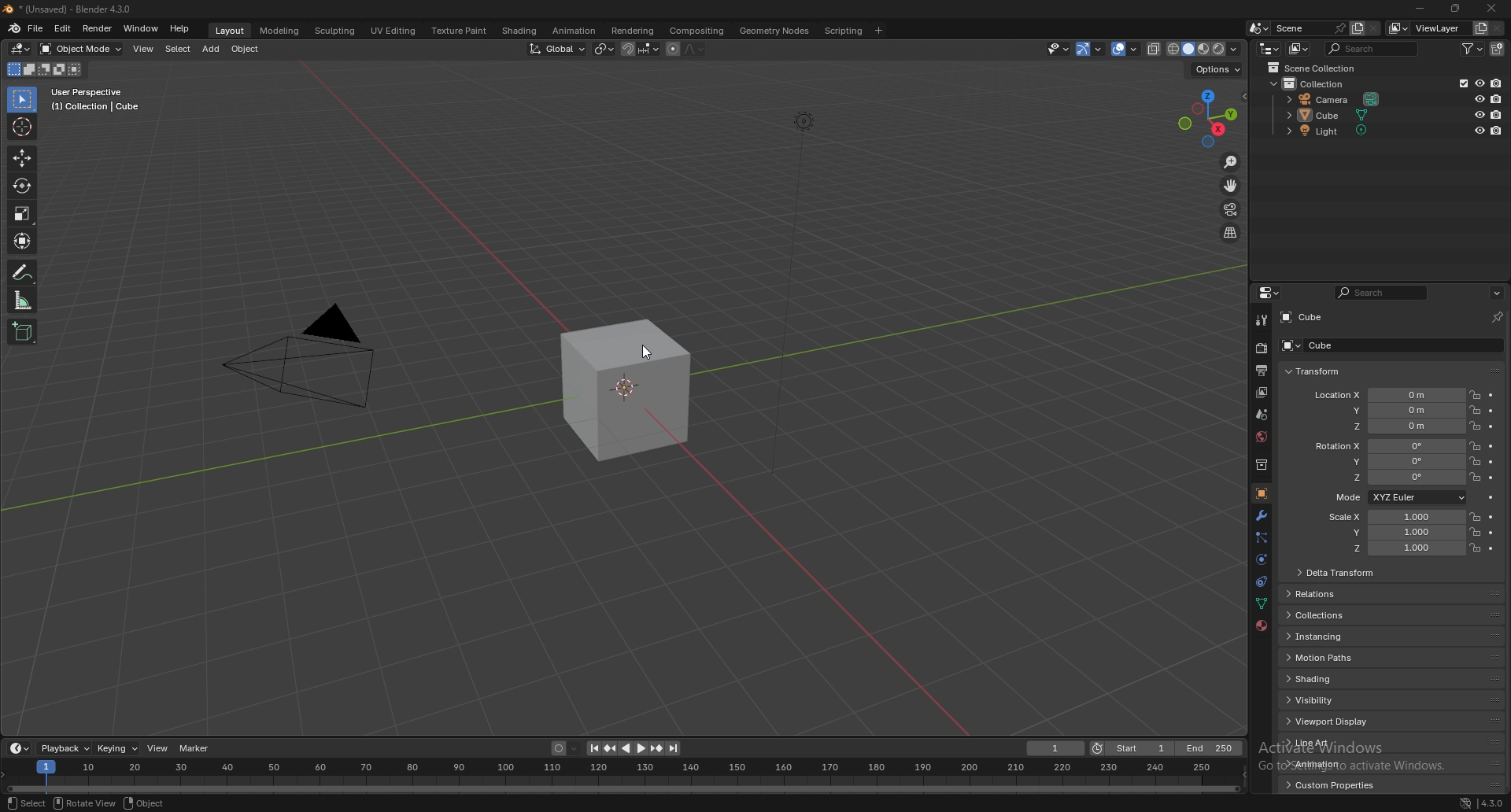 Image resolution: width=1511 pixels, height=812 pixels. What do you see at coordinates (1332, 131) in the screenshot?
I see `light` at bounding box center [1332, 131].